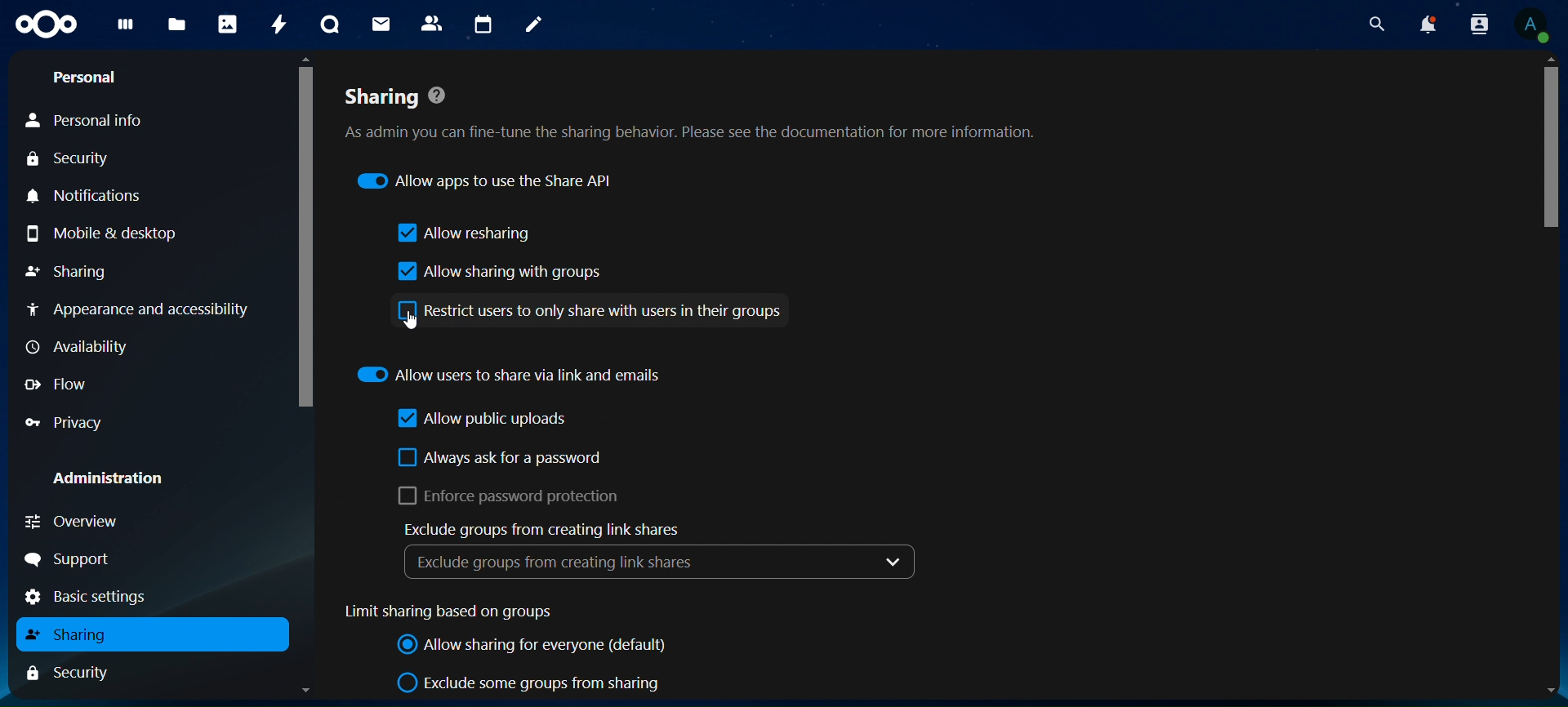  I want to click on allow public uploads, so click(486, 419).